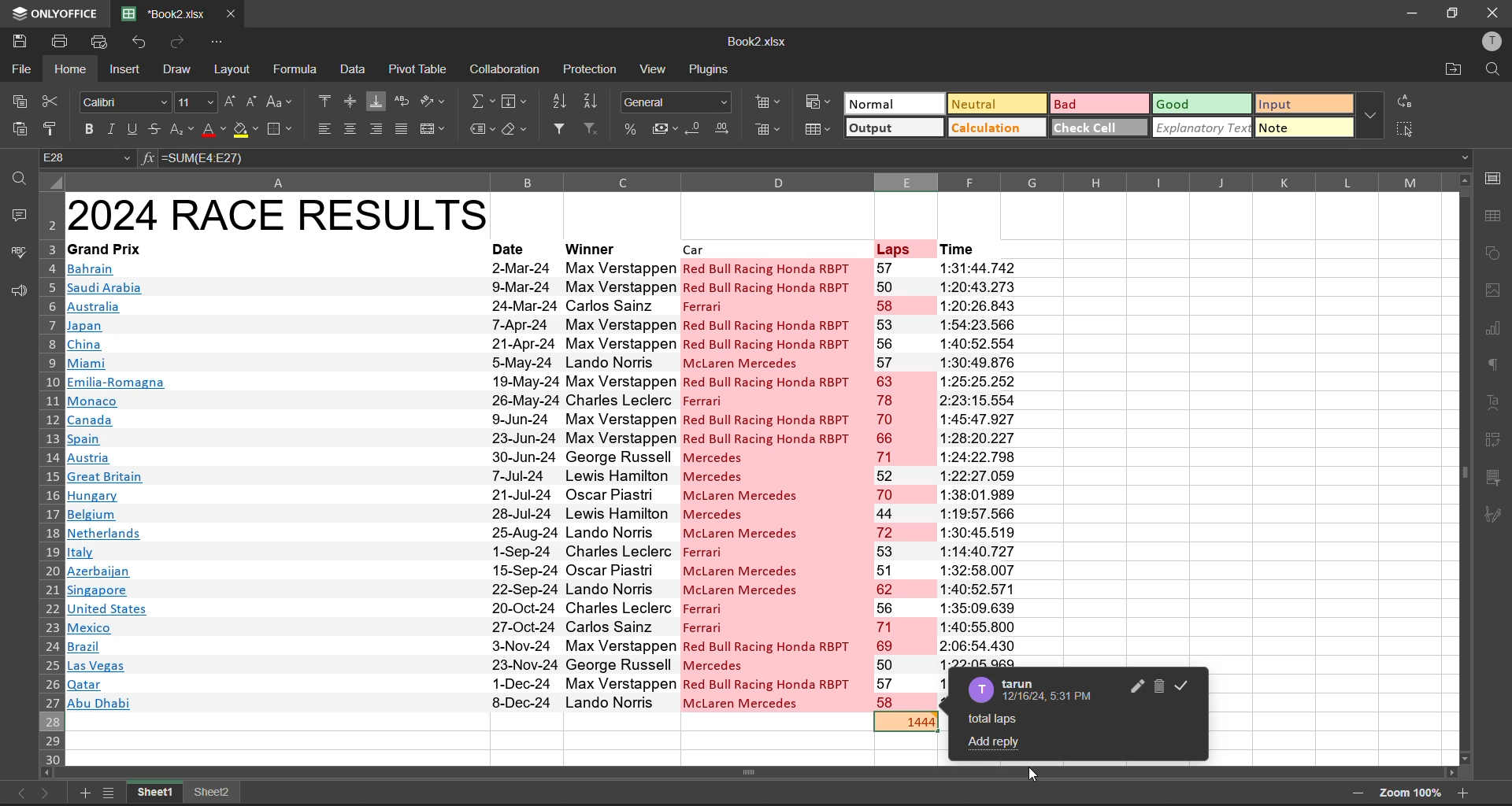 This screenshot has width=1512, height=806. What do you see at coordinates (632, 128) in the screenshot?
I see `percent` at bounding box center [632, 128].